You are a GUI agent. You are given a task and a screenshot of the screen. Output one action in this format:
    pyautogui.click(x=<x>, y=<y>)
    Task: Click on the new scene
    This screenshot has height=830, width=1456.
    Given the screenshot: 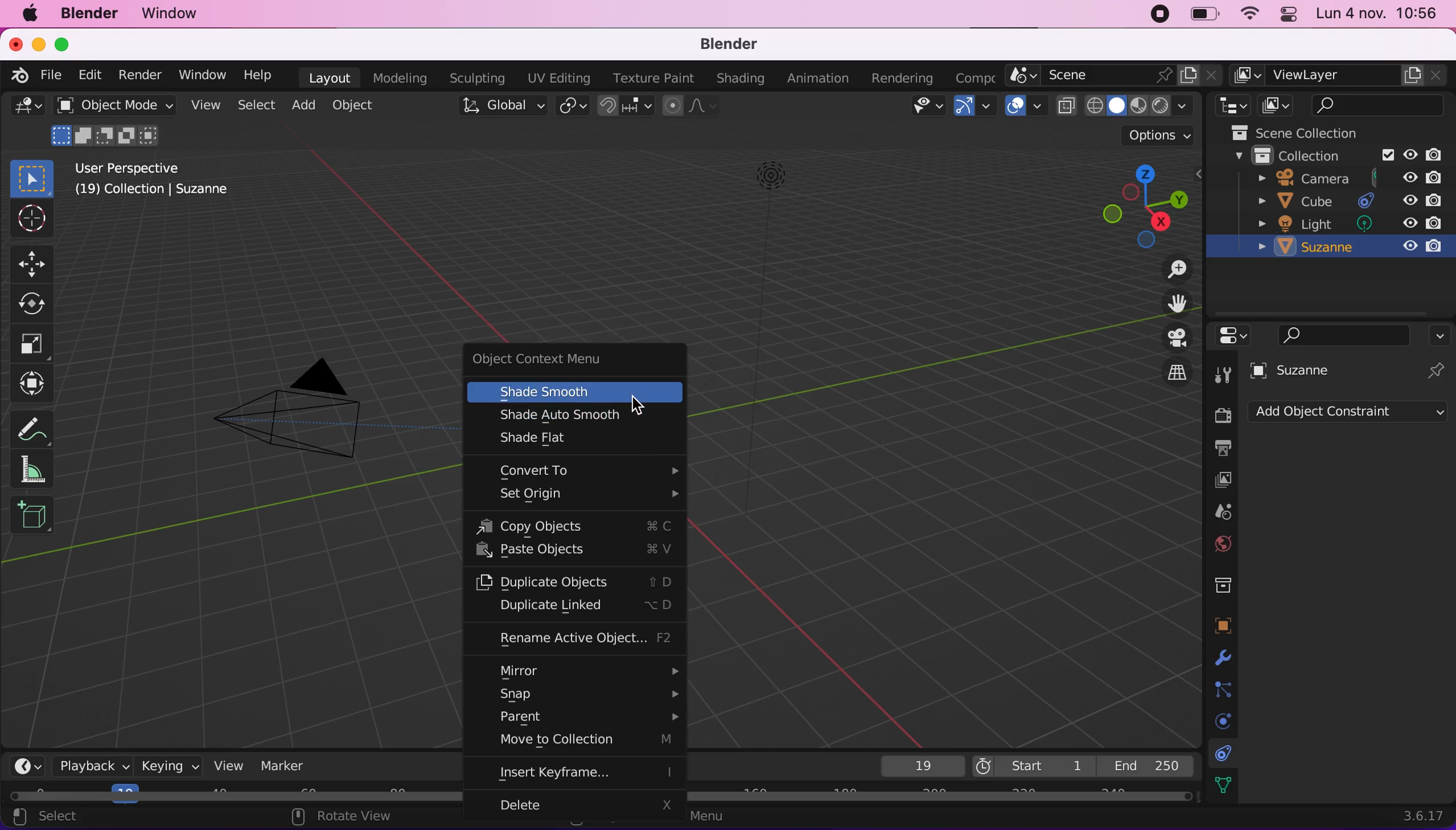 What is the action you would take?
    pyautogui.click(x=1189, y=77)
    